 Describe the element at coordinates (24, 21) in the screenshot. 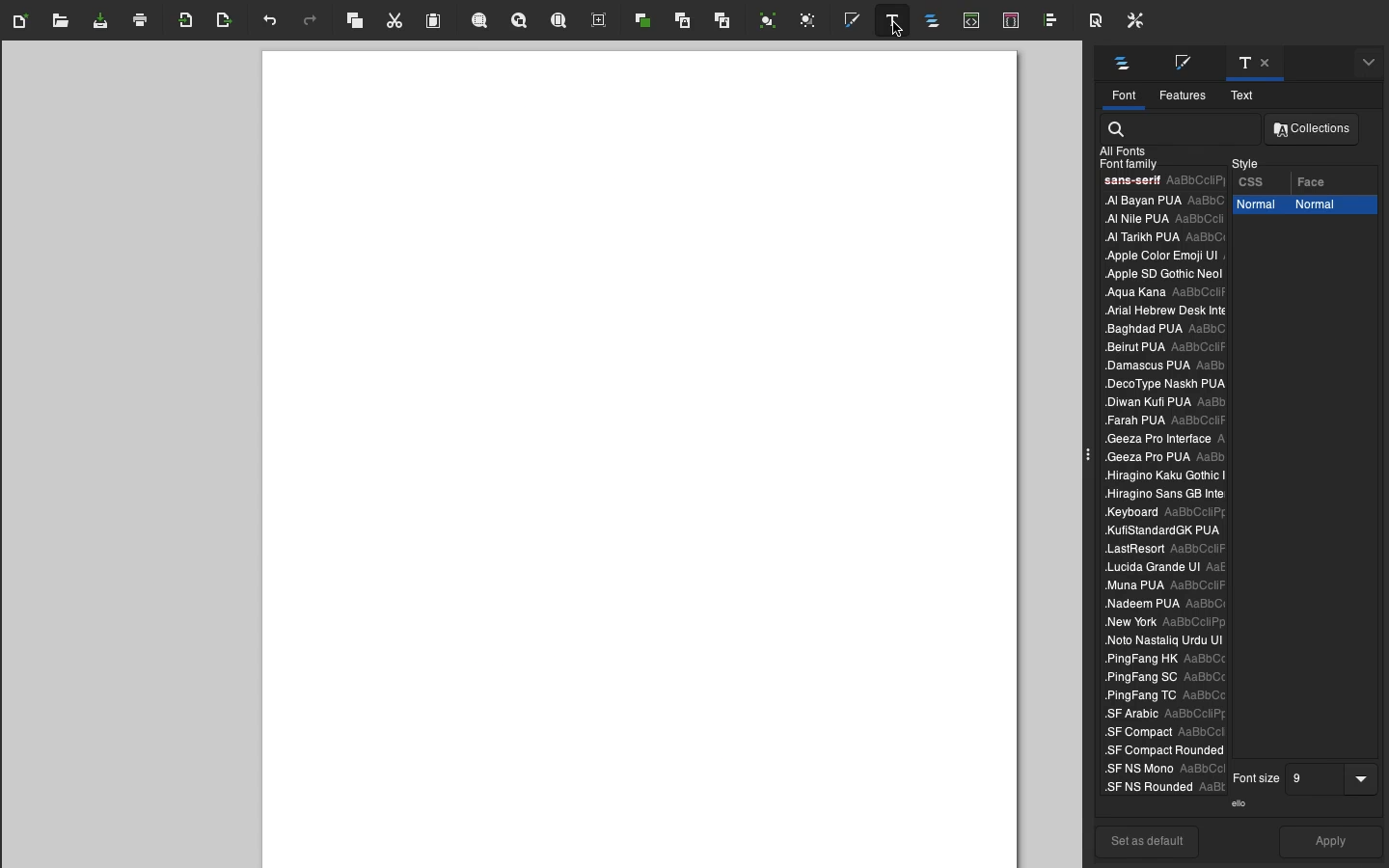

I see `Create new document` at that location.